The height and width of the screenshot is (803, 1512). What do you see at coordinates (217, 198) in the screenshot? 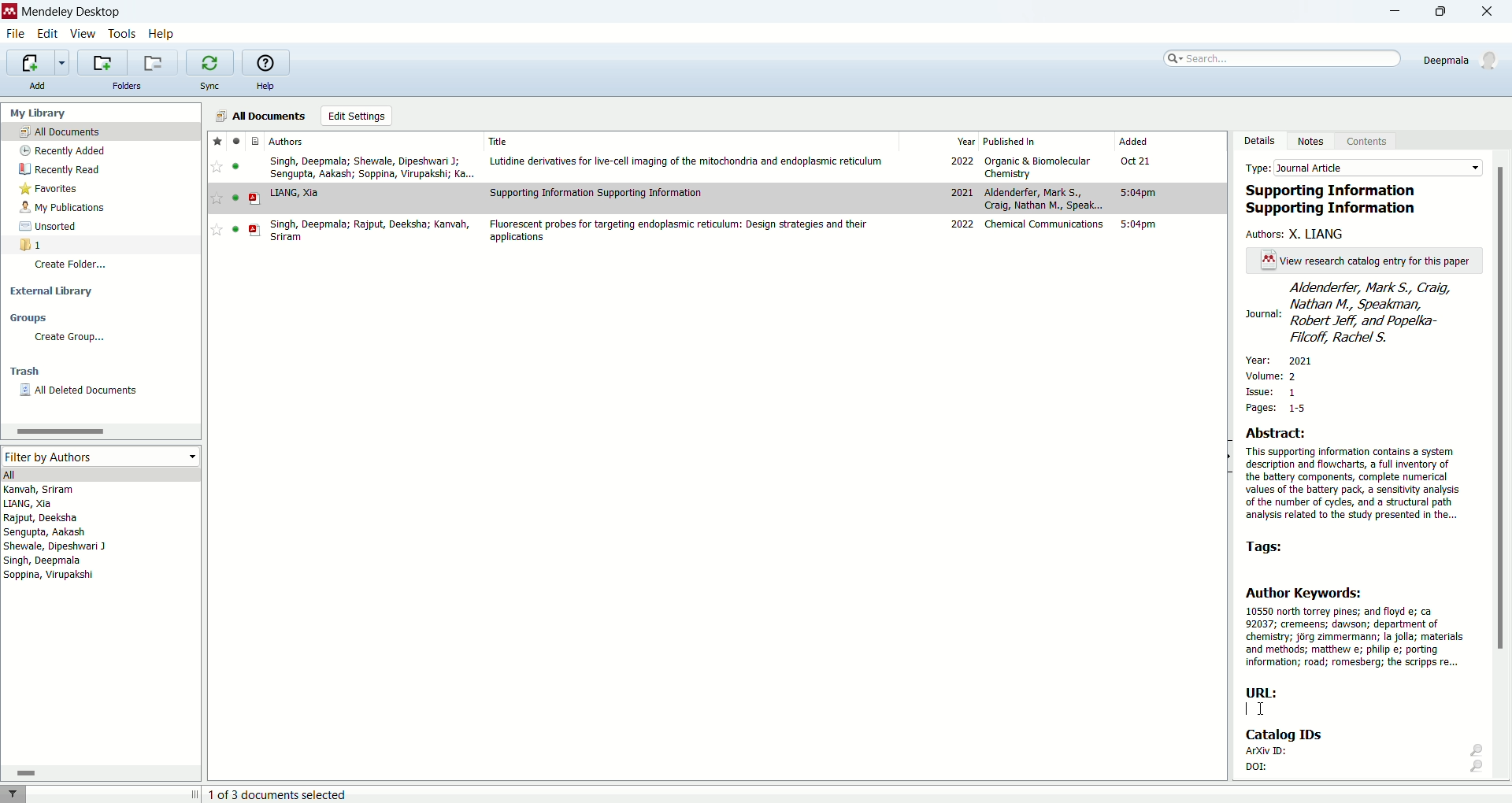
I see `favorite` at bounding box center [217, 198].